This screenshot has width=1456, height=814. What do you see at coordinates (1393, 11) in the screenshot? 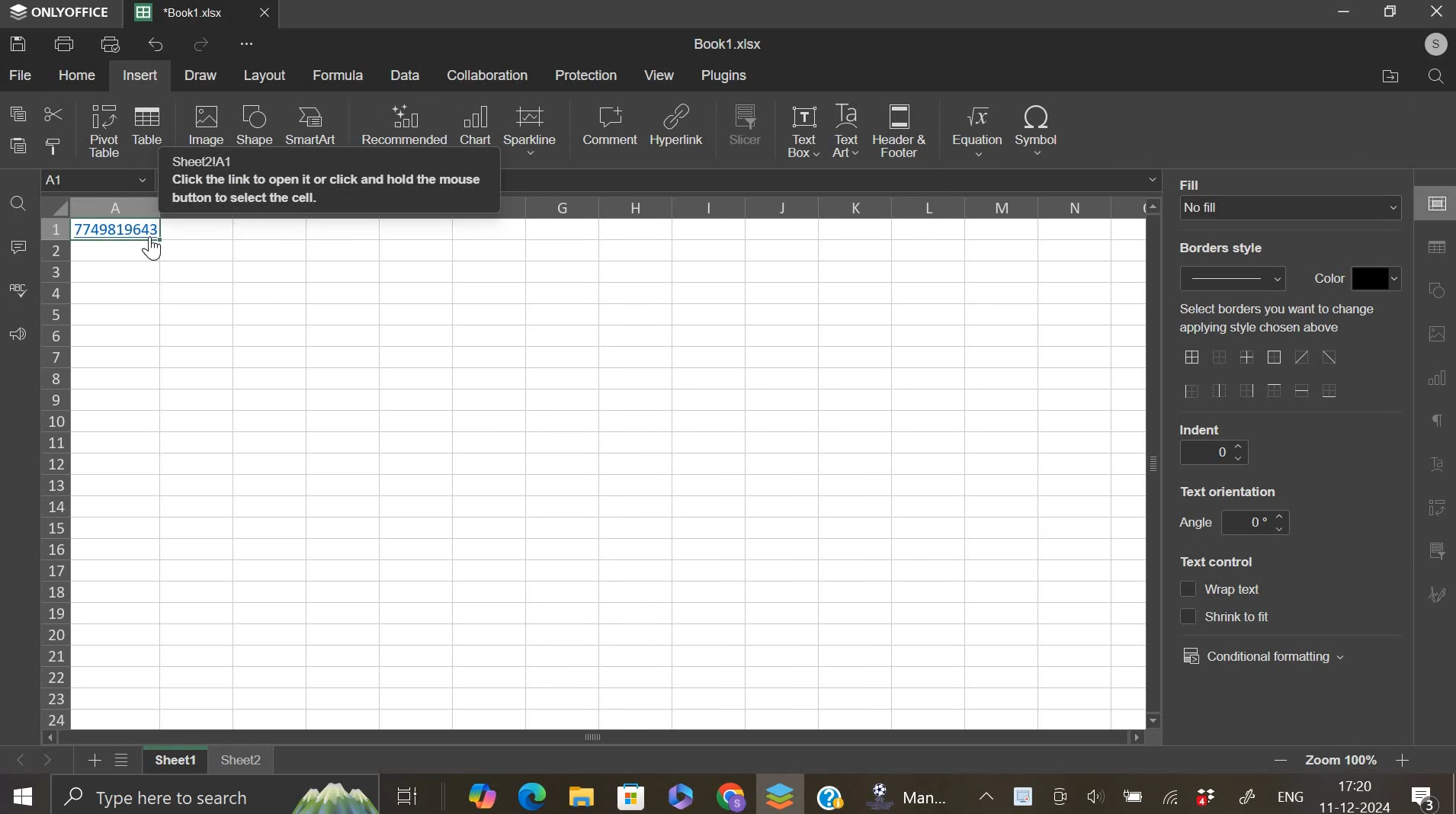
I see `Maximize` at bounding box center [1393, 11].